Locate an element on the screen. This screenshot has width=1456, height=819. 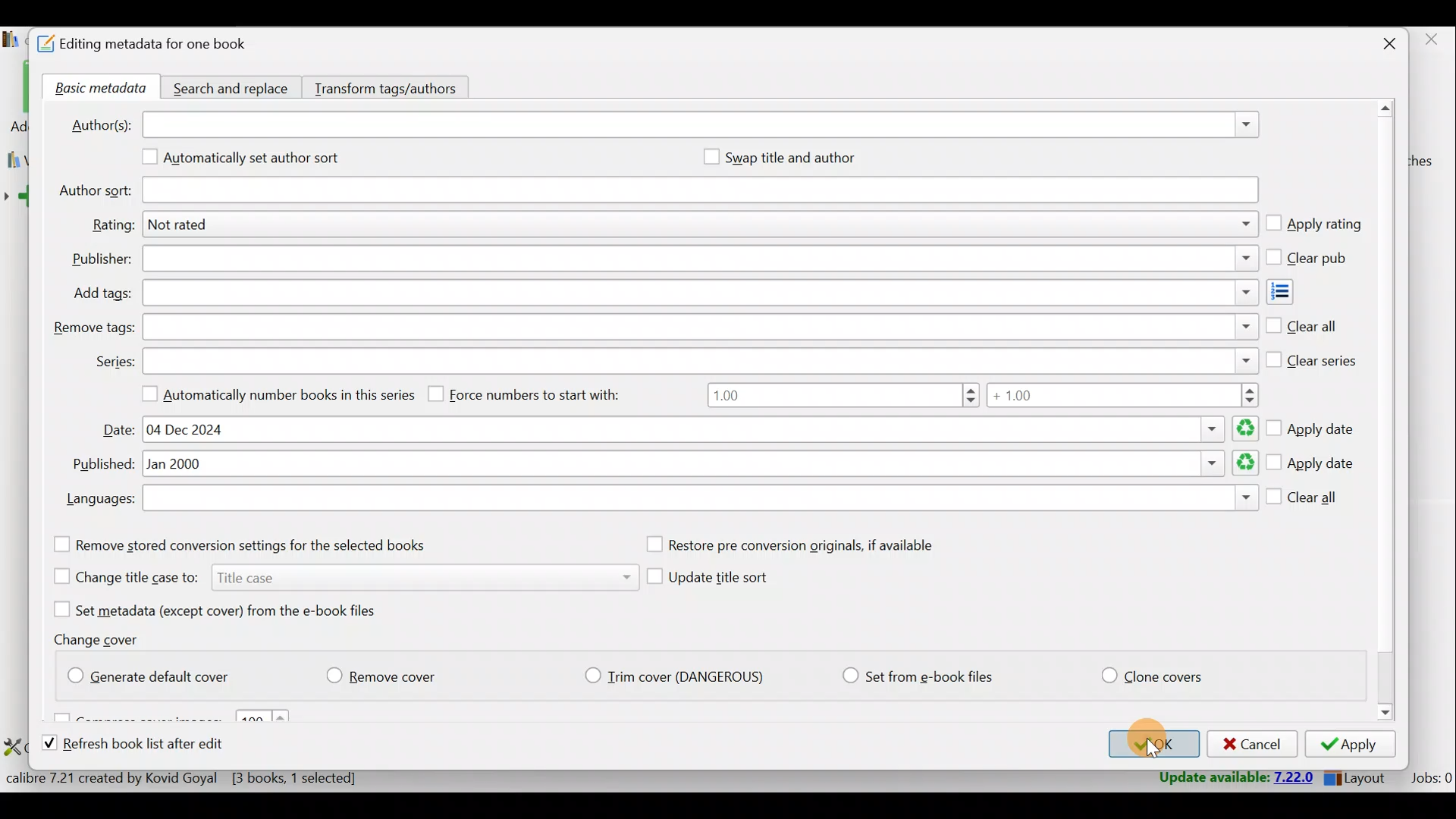
Publisher is located at coordinates (699, 260).